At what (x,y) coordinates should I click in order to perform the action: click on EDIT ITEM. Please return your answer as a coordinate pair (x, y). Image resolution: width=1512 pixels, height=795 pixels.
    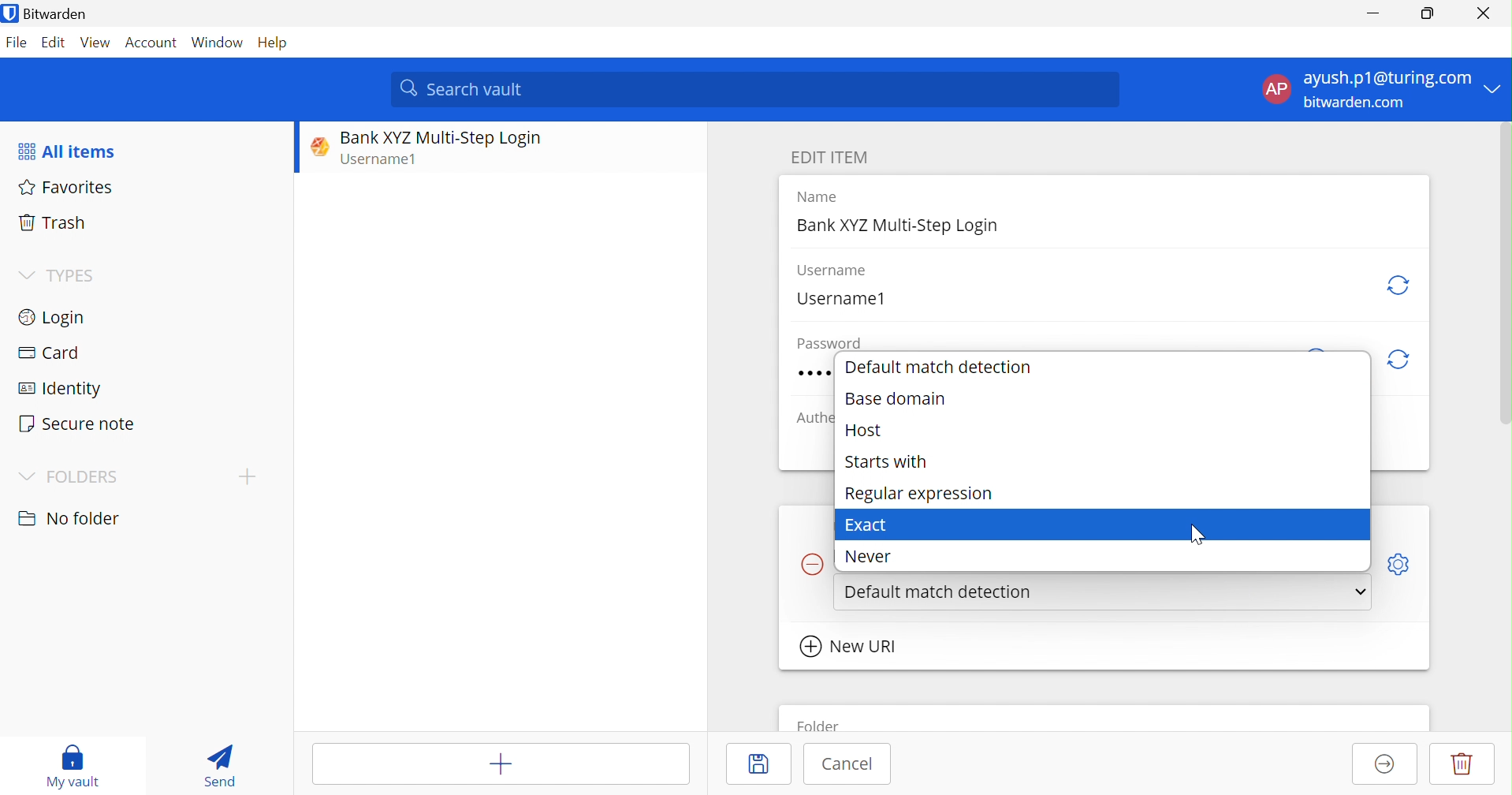
    Looking at the image, I should click on (833, 158).